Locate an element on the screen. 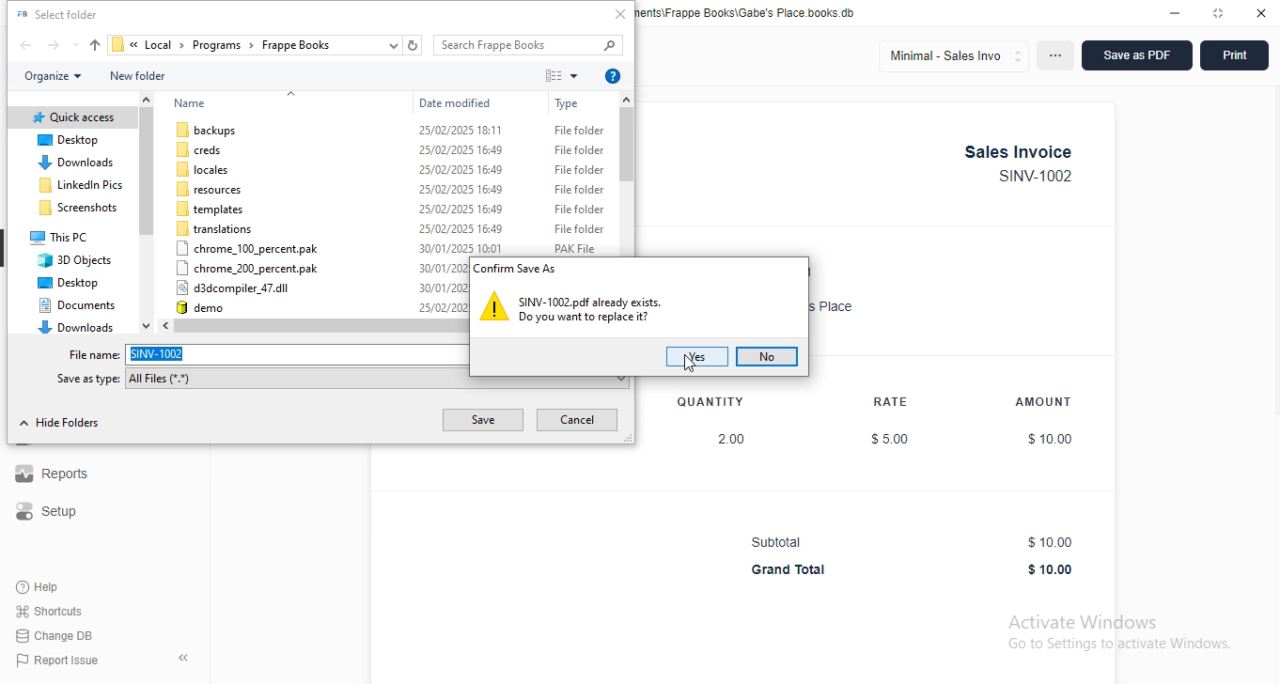 The height and width of the screenshot is (684, 1280). scroll up is located at coordinates (145, 100).